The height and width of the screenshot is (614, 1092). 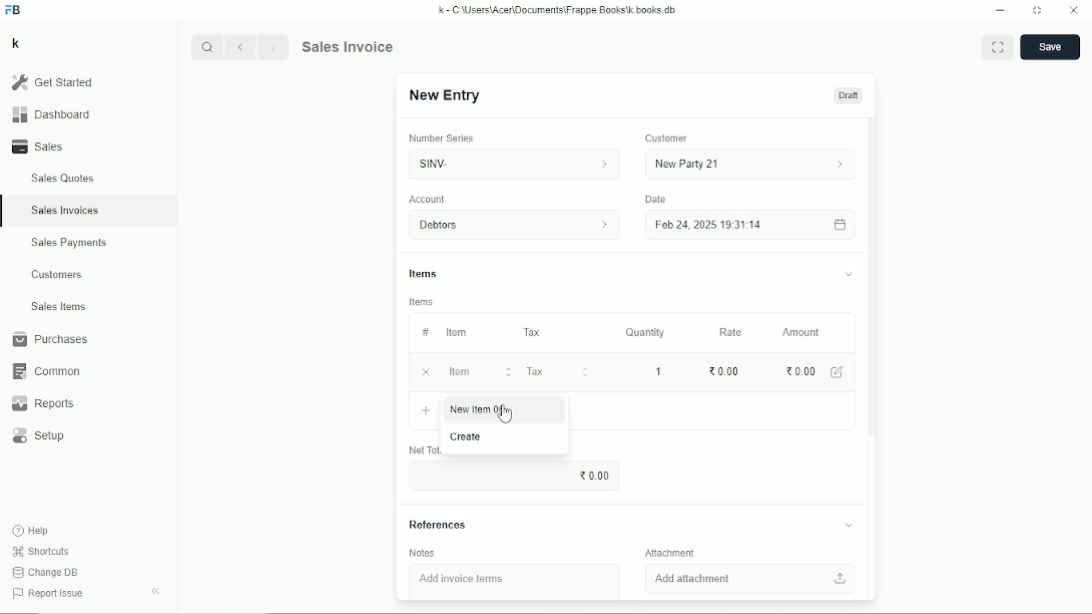 What do you see at coordinates (347, 46) in the screenshot?
I see `Sales invoice` at bounding box center [347, 46].